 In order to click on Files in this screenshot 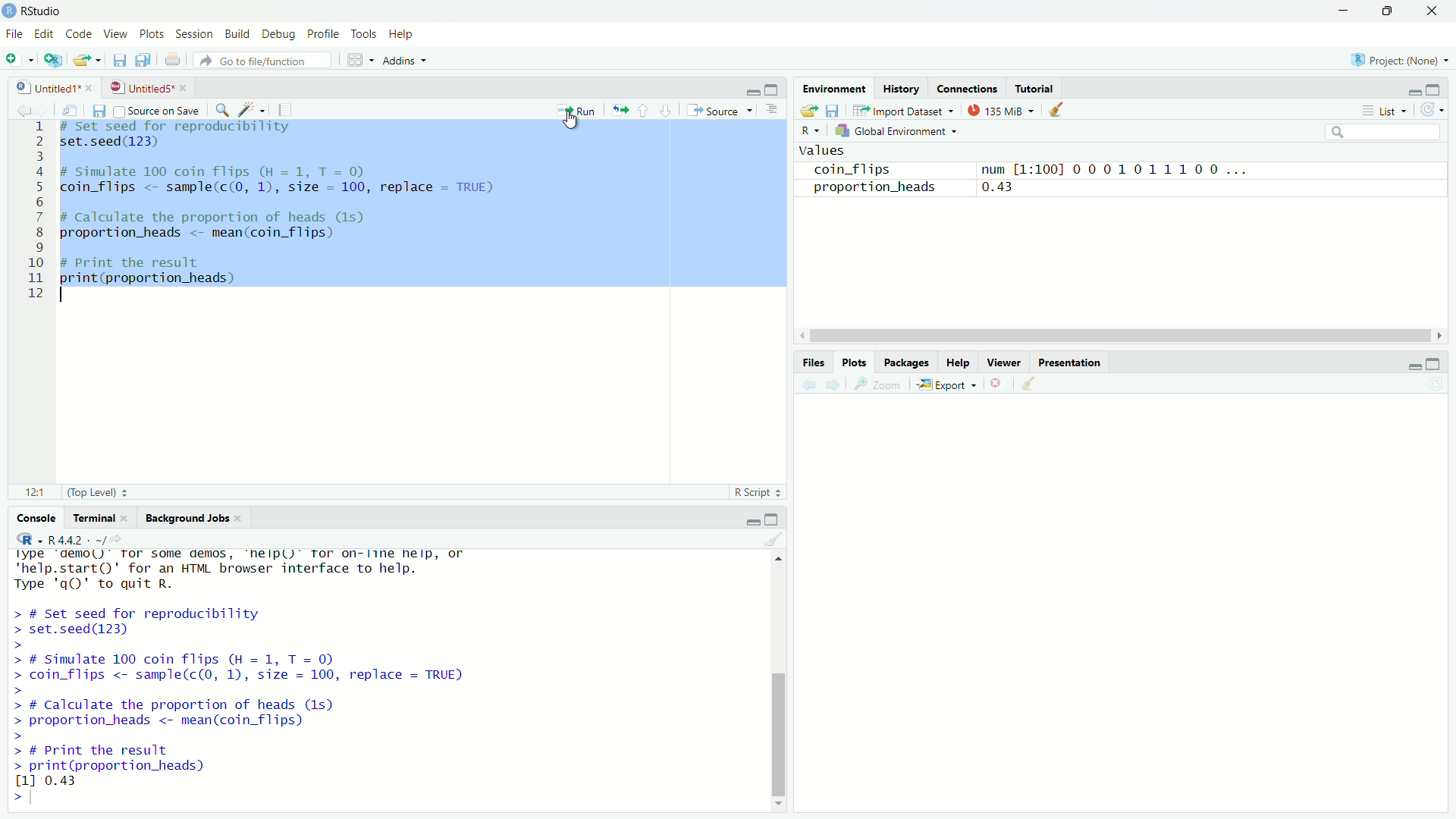, I will do `click(812, 362)`.